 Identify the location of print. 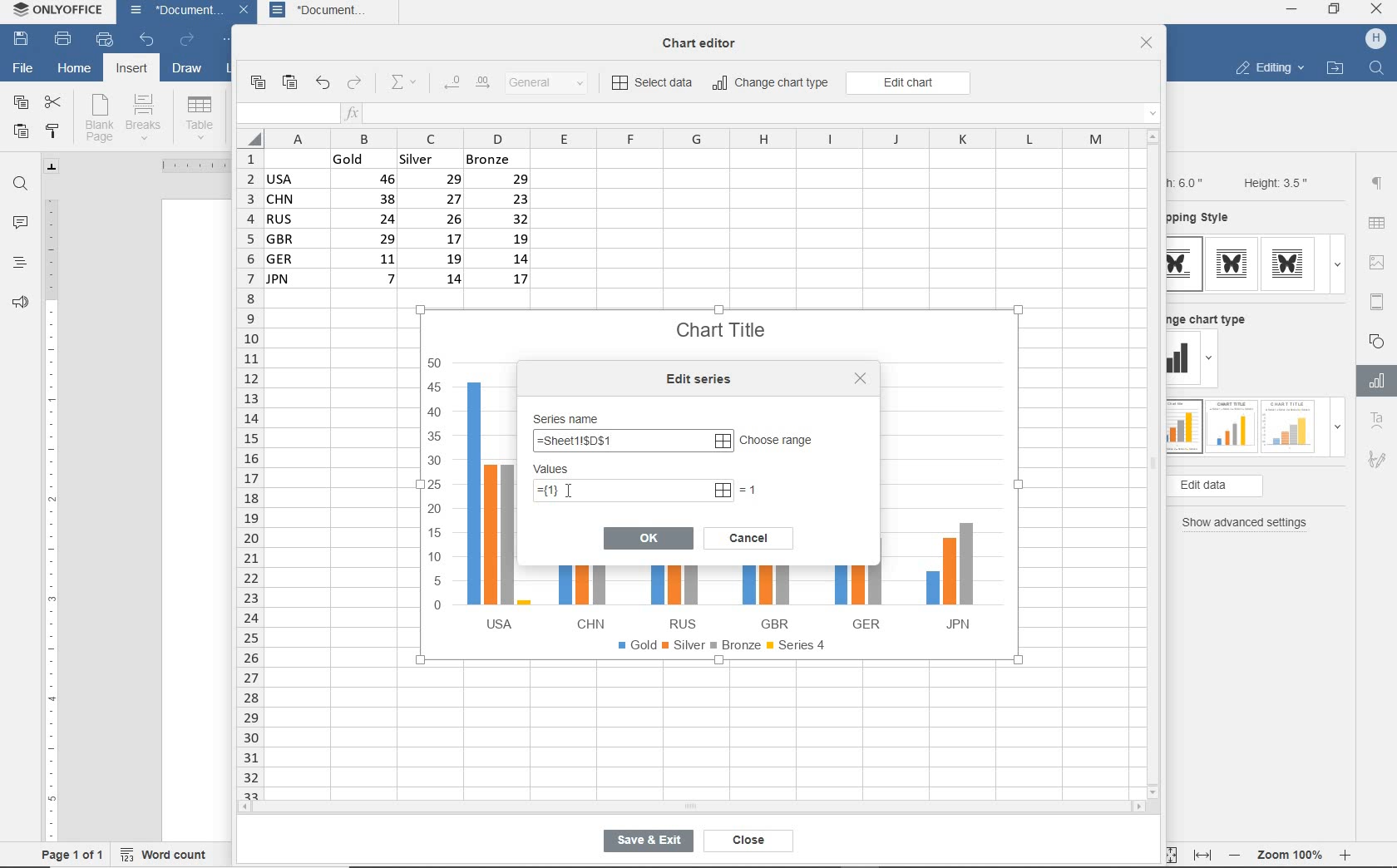
(62, 40).